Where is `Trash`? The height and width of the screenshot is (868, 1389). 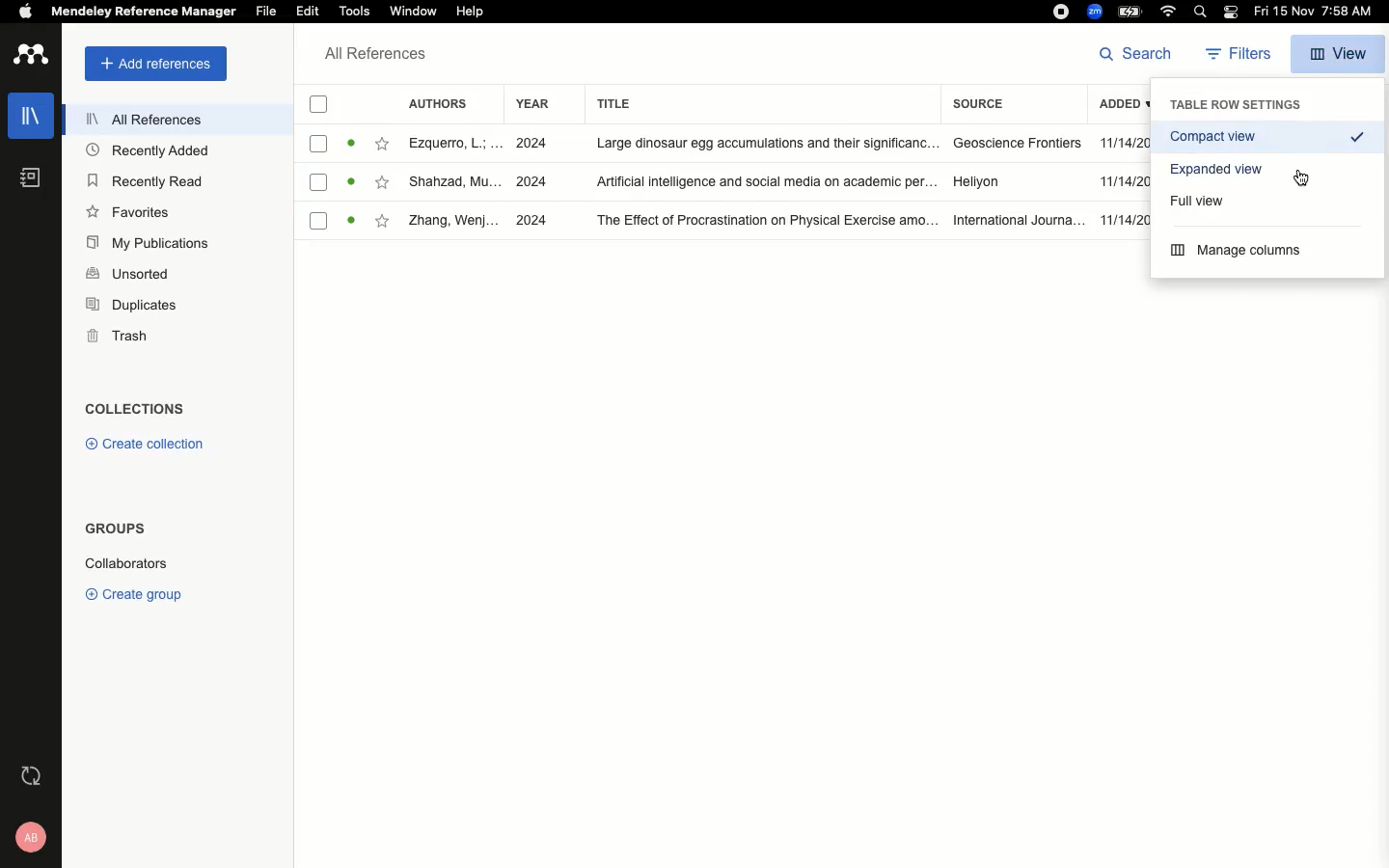
Trash is located at coordinates (110, 336).